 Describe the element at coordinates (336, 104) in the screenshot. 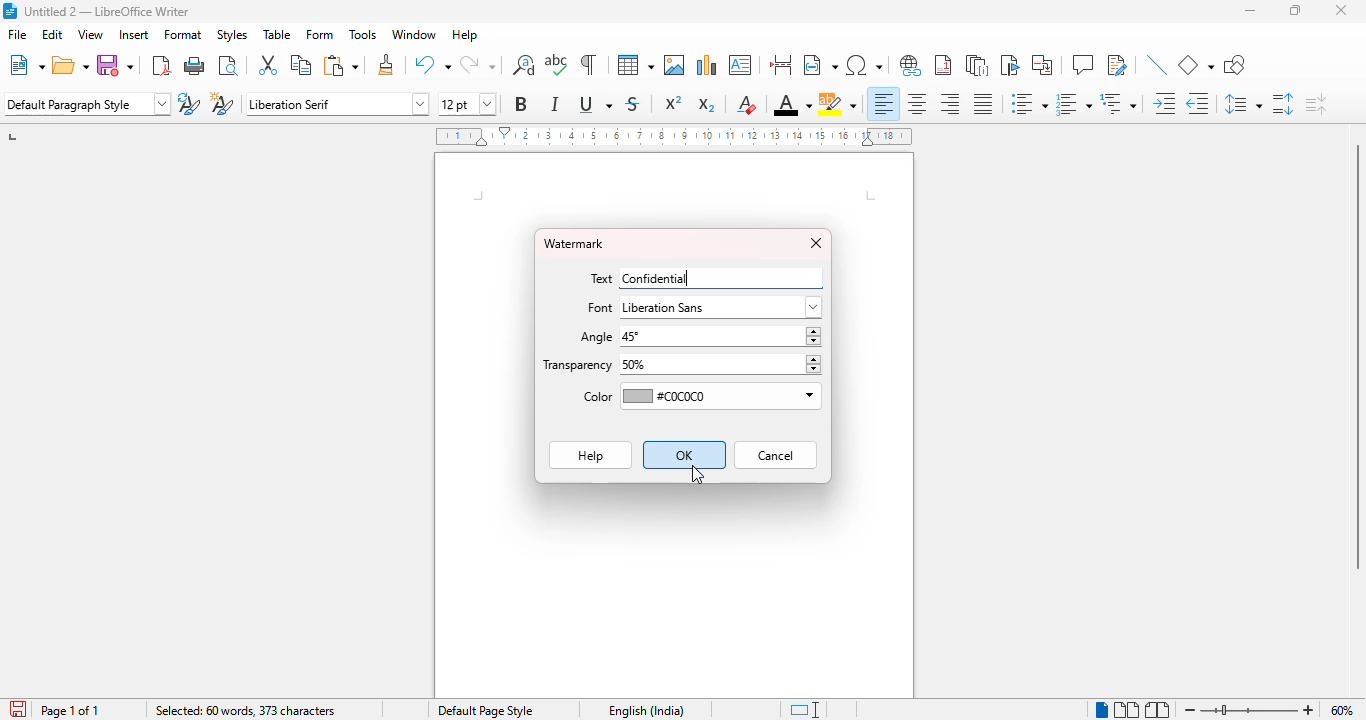

I see `font name` at that location.